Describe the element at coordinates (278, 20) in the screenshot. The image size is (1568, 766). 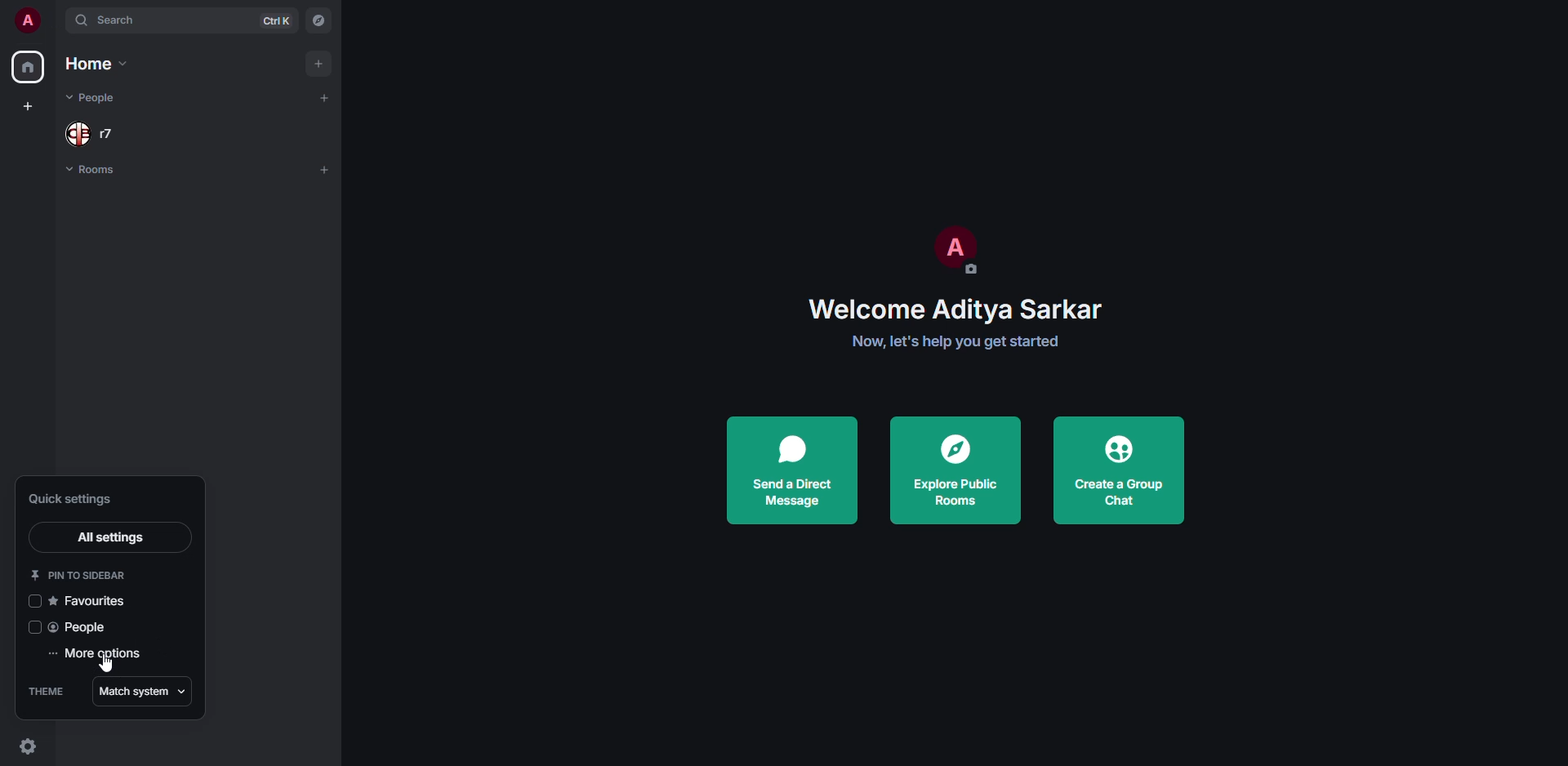
I see `ctrl K` at that location.